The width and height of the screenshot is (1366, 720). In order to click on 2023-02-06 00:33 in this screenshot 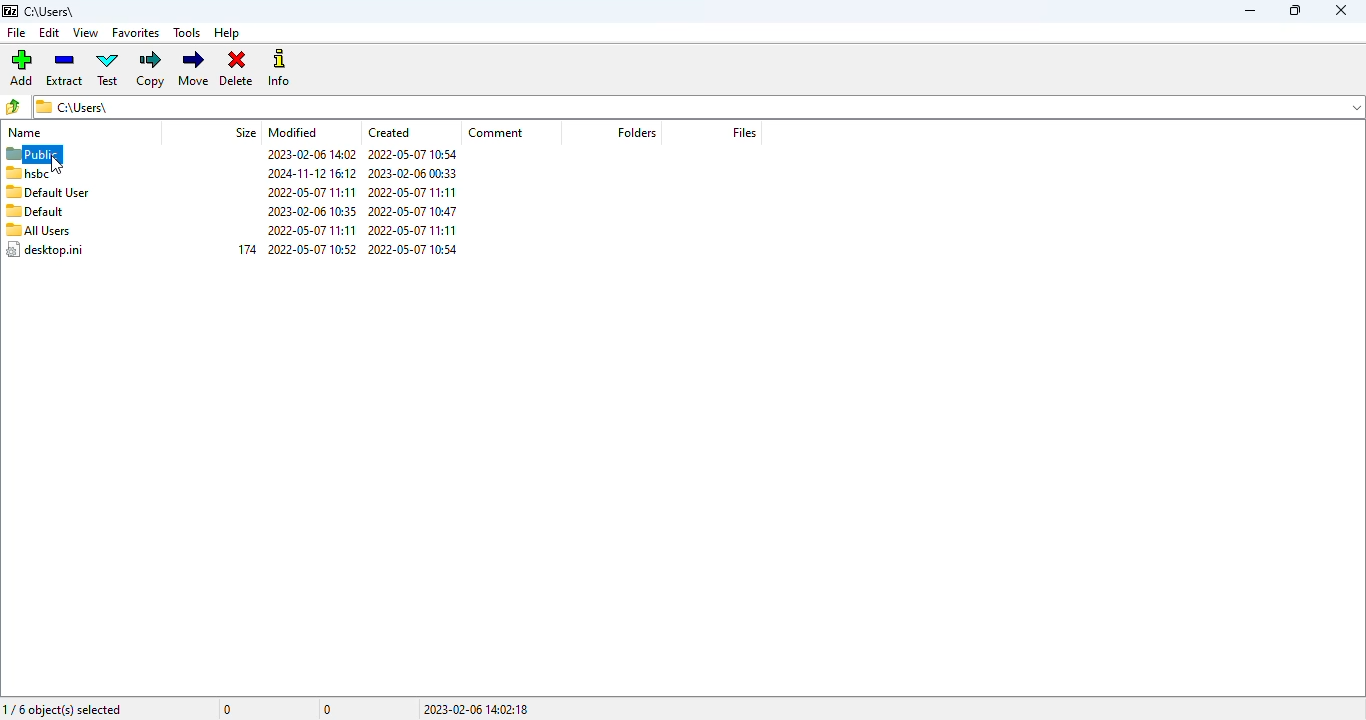, I will do `click(415, 174)`.